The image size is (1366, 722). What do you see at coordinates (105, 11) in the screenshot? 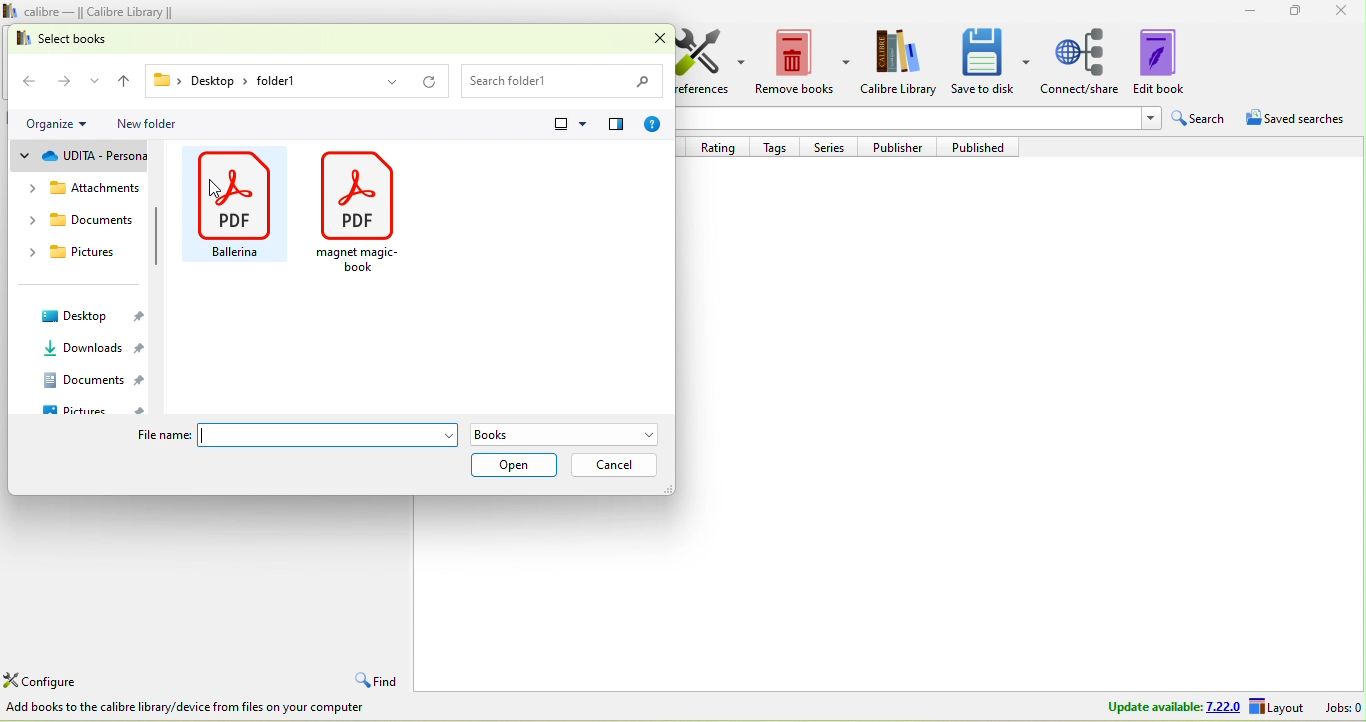
I see `calibre- calibre library` at bounding box center [105, 11].